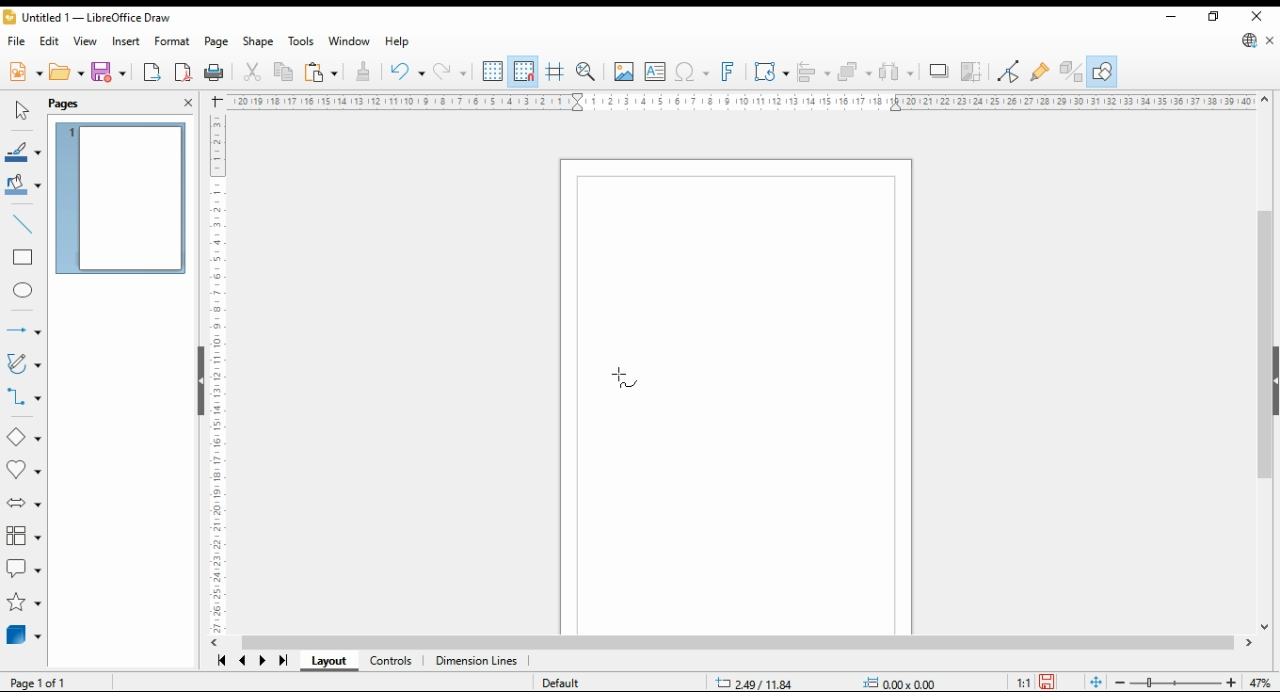 The height and width of the screenshot is (692, 1280). What do you see at coordinates (183, 73) in the screenshot?
I see `export as pdf` at bounding box center [183, 73].